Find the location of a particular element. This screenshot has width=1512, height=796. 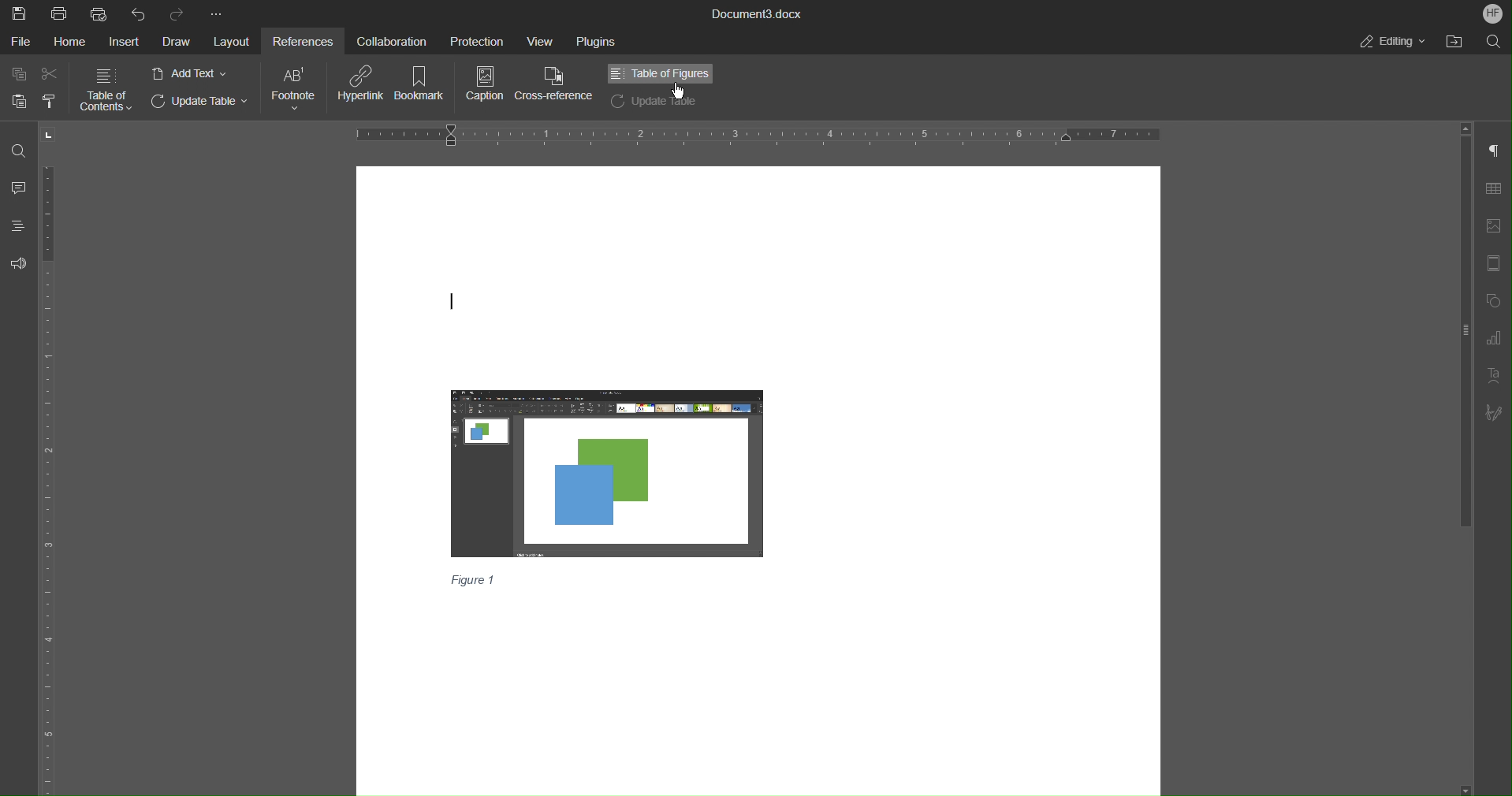

References is located at coordinates (300, 39).